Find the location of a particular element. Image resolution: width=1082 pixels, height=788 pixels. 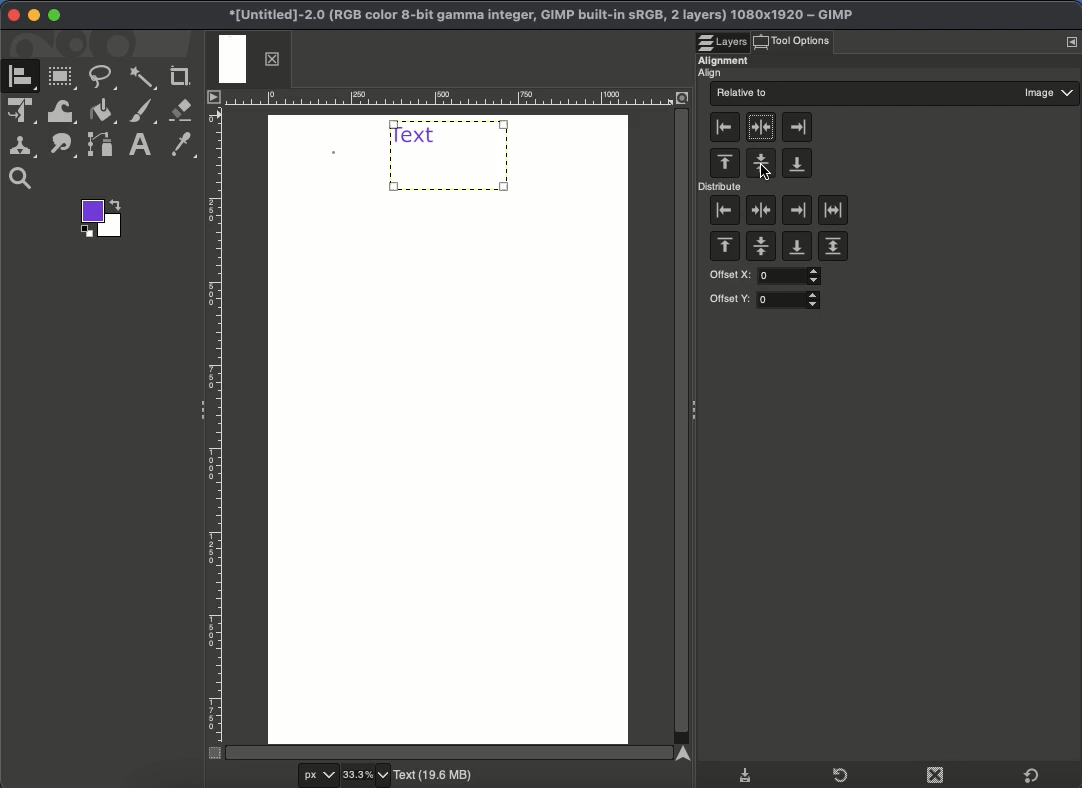

px is located at coordinates (315, 776).